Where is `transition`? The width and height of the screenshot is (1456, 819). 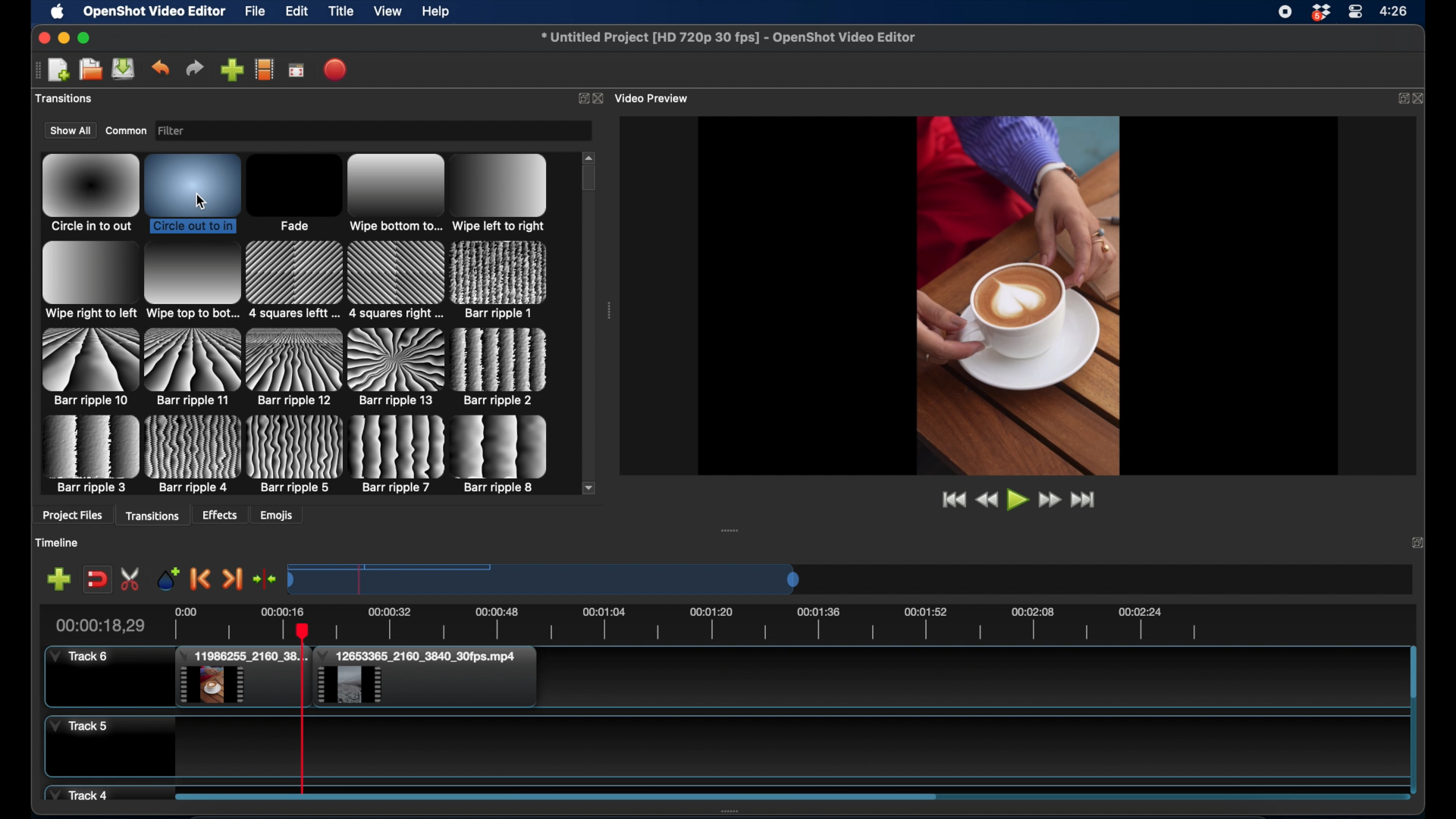
transition is located at coordinates (193, 192).